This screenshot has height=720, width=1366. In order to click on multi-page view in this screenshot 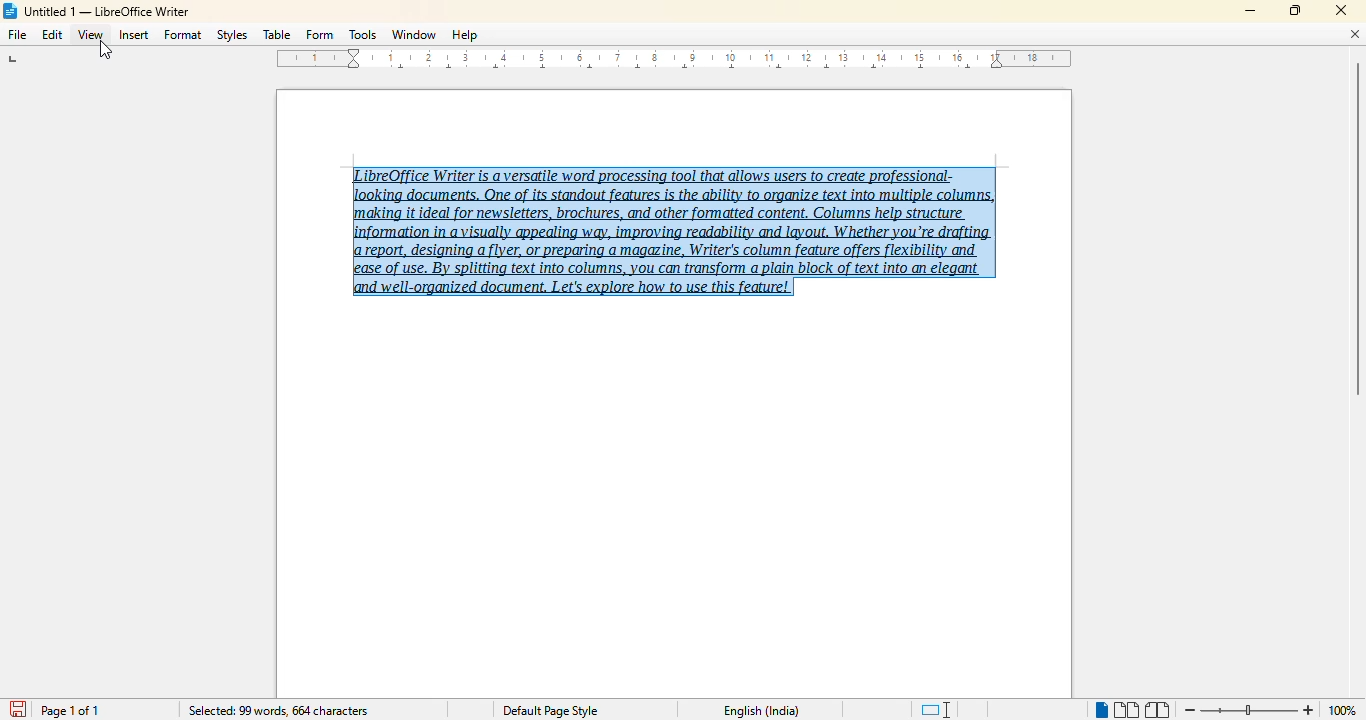, I will do `click(1125, 709)`.